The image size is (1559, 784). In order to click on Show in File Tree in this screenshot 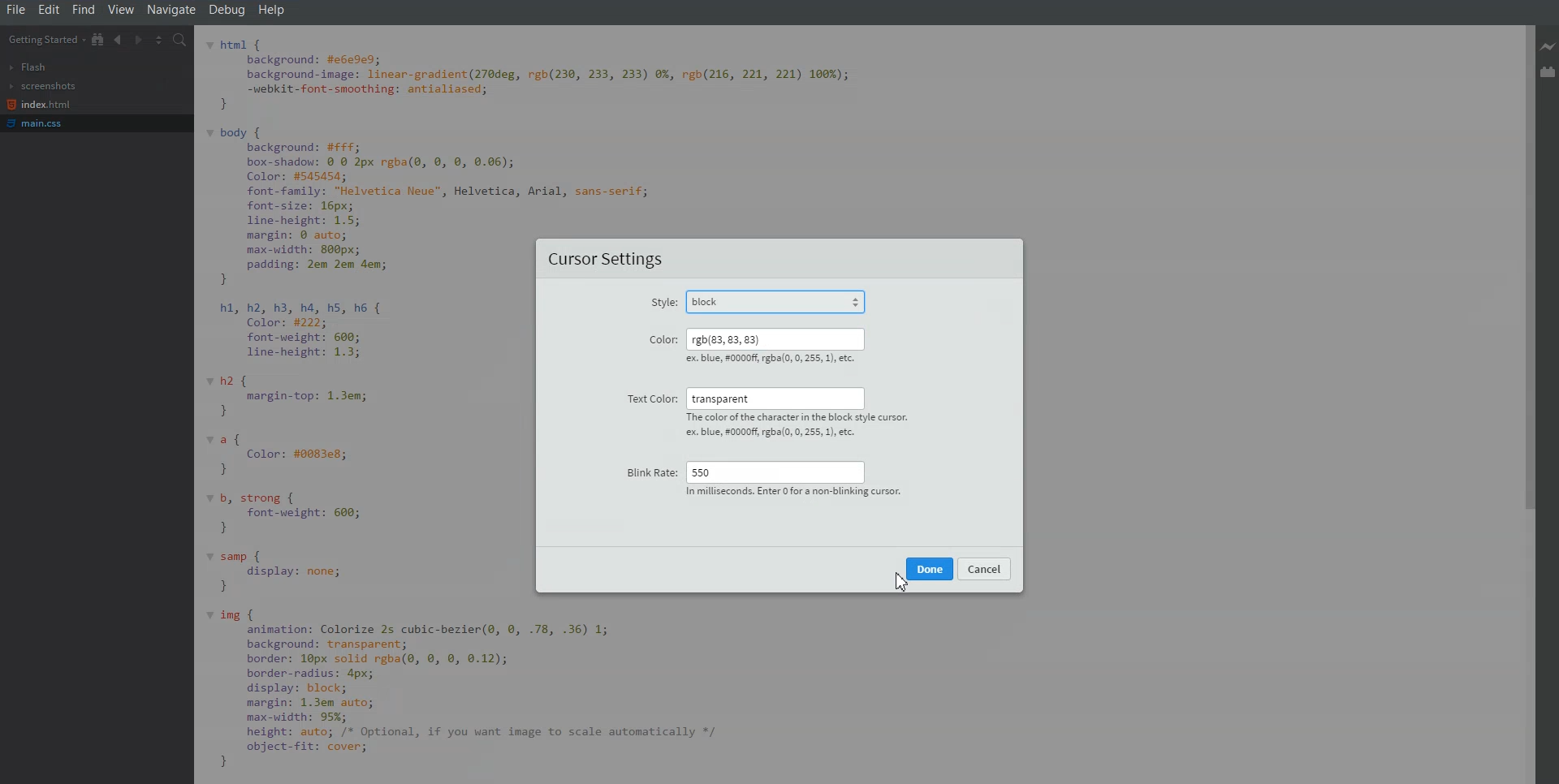, I will do `click(98, 39)`.